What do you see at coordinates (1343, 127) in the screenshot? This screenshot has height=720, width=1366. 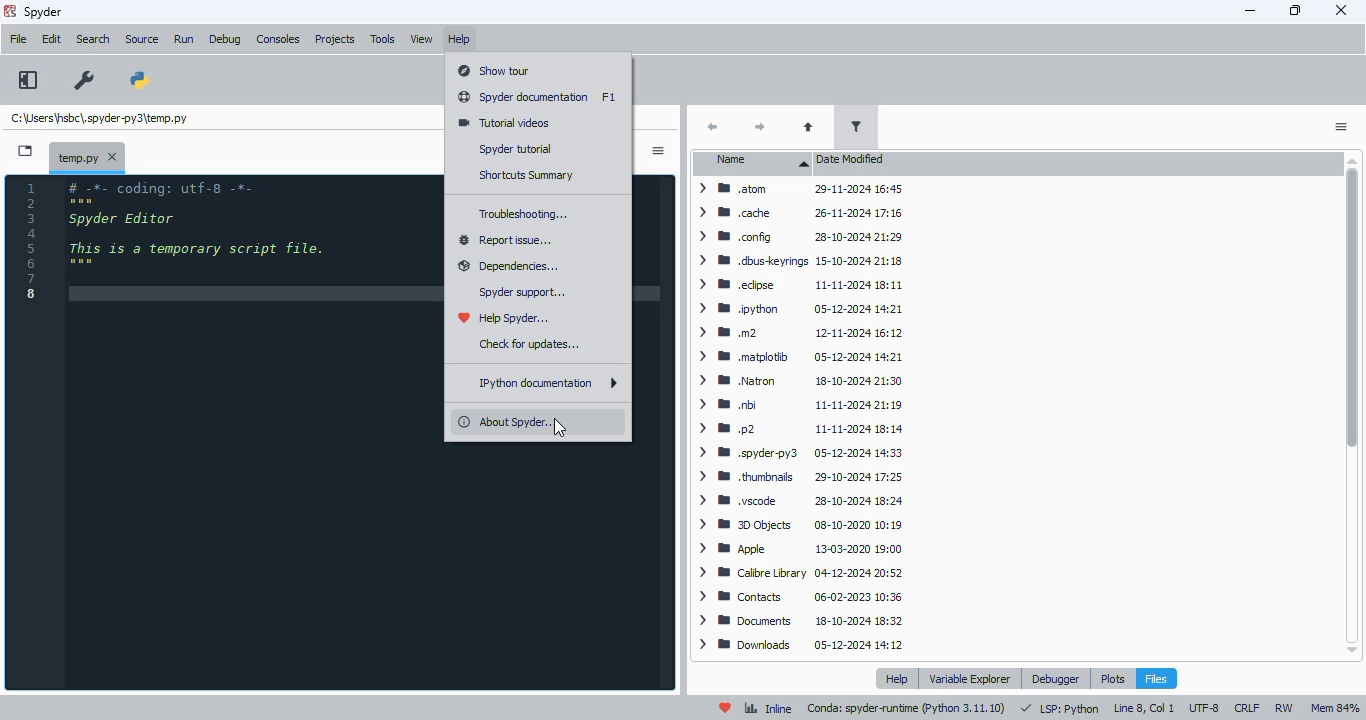 I see `options` at bounding box center [1343, 127].